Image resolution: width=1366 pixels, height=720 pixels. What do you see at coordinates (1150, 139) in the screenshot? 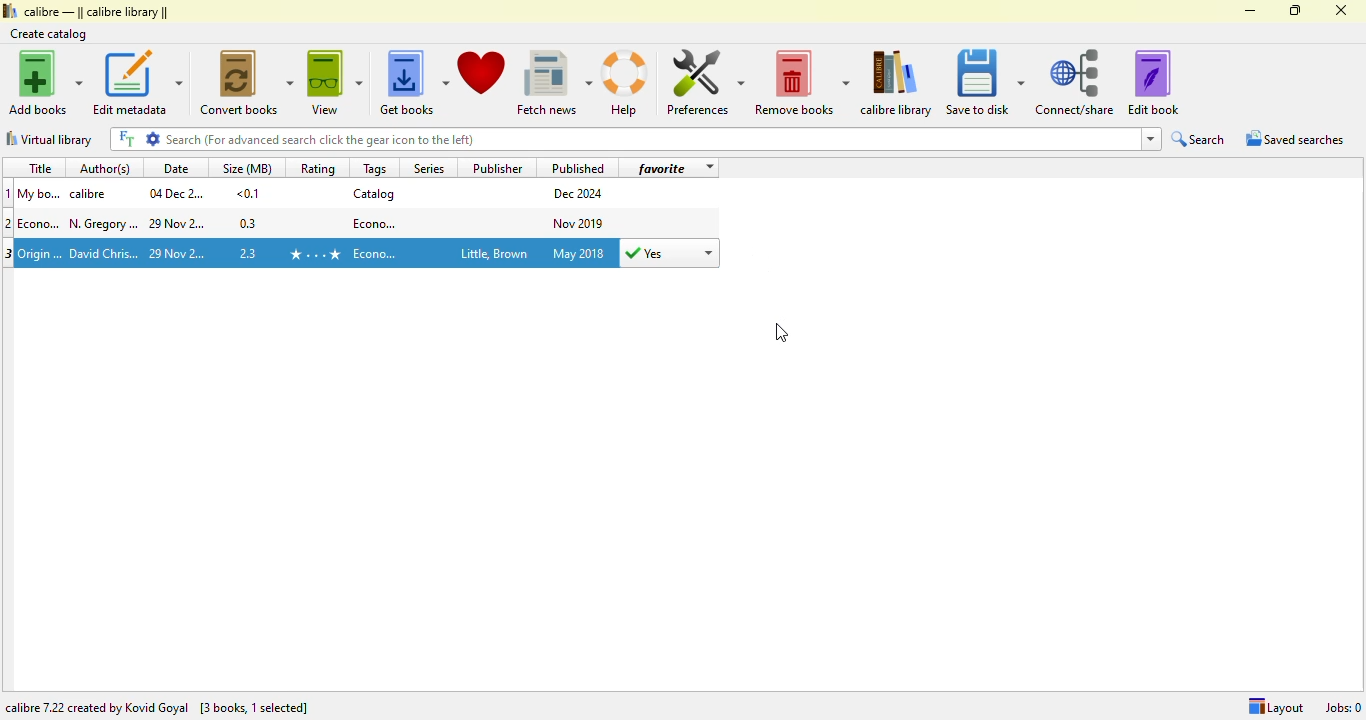
I see `dropdown` at bounding box center [1150, 139].